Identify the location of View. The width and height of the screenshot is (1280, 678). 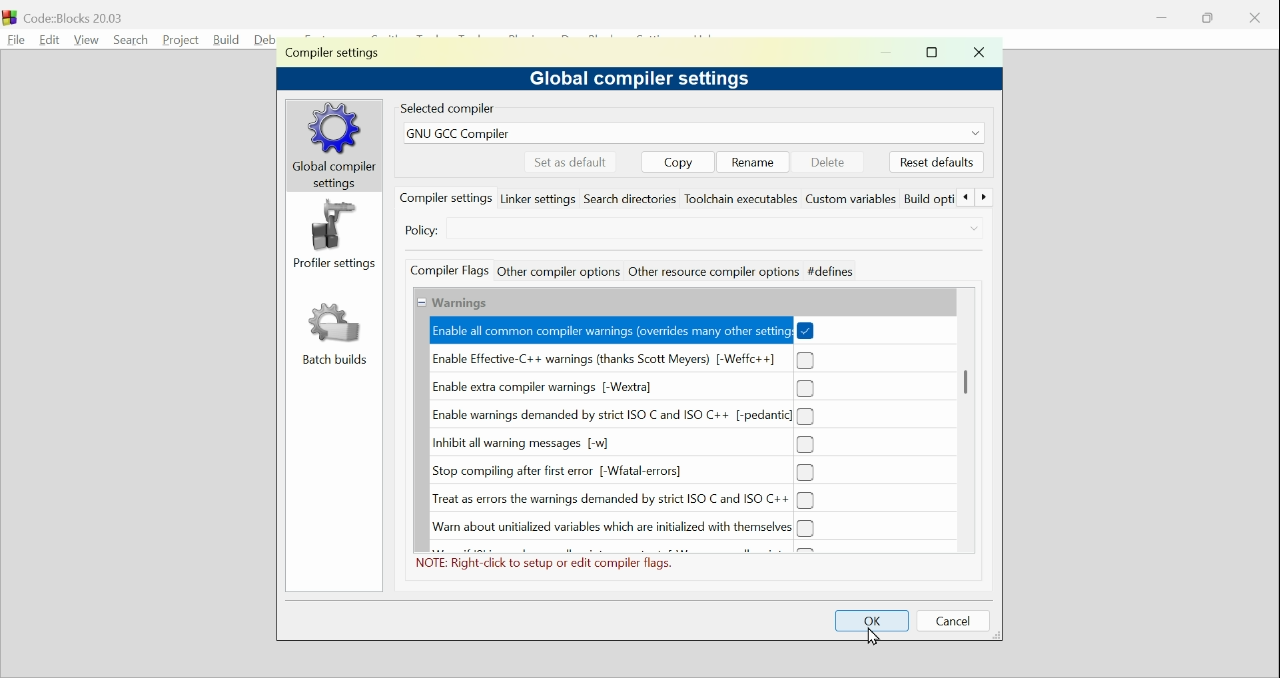
(86, 39).